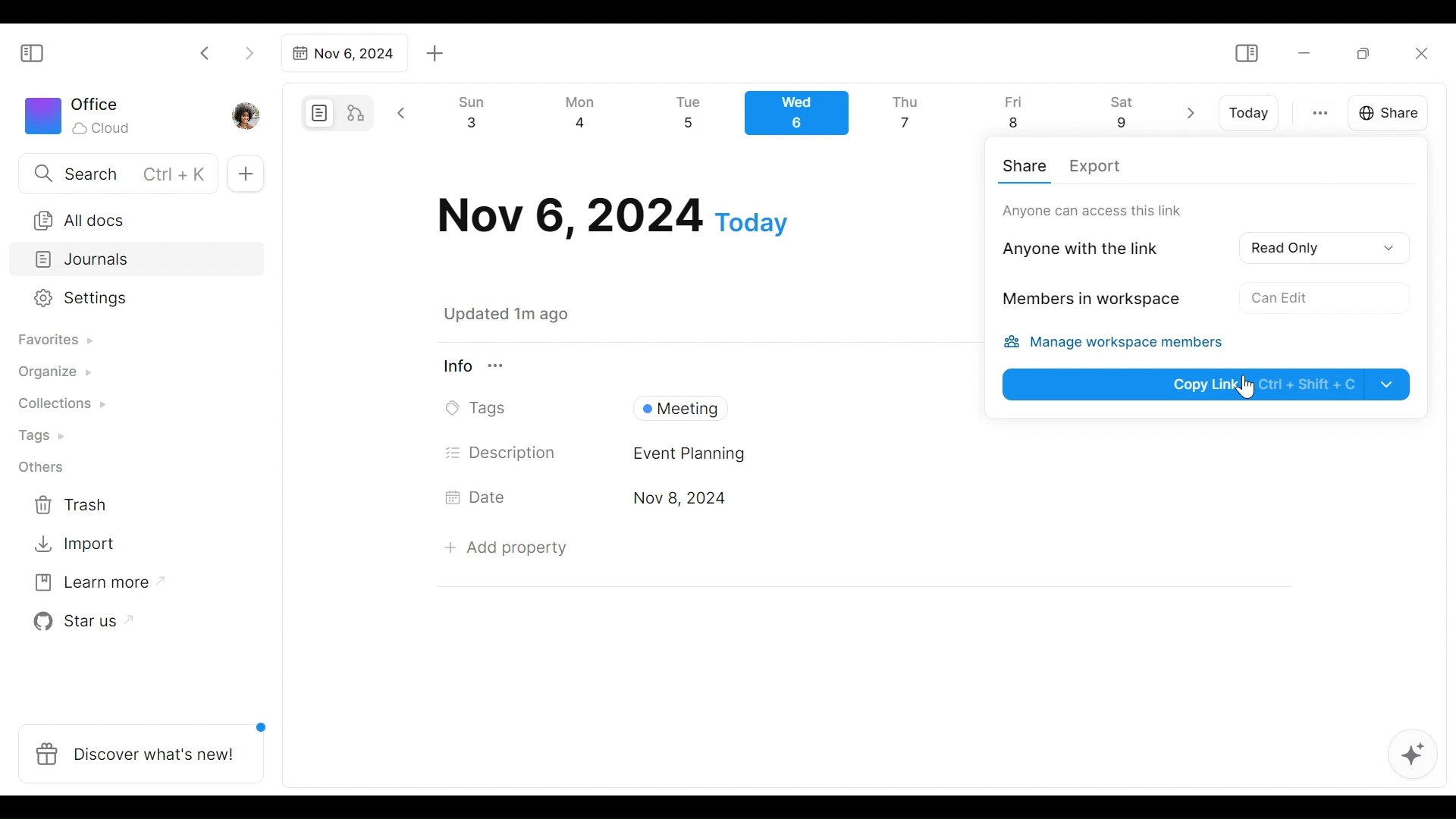  What do you see at coordinates (1323, 248) in the screenshot?
I see `Read Only` at bounding box center [1323, 248].